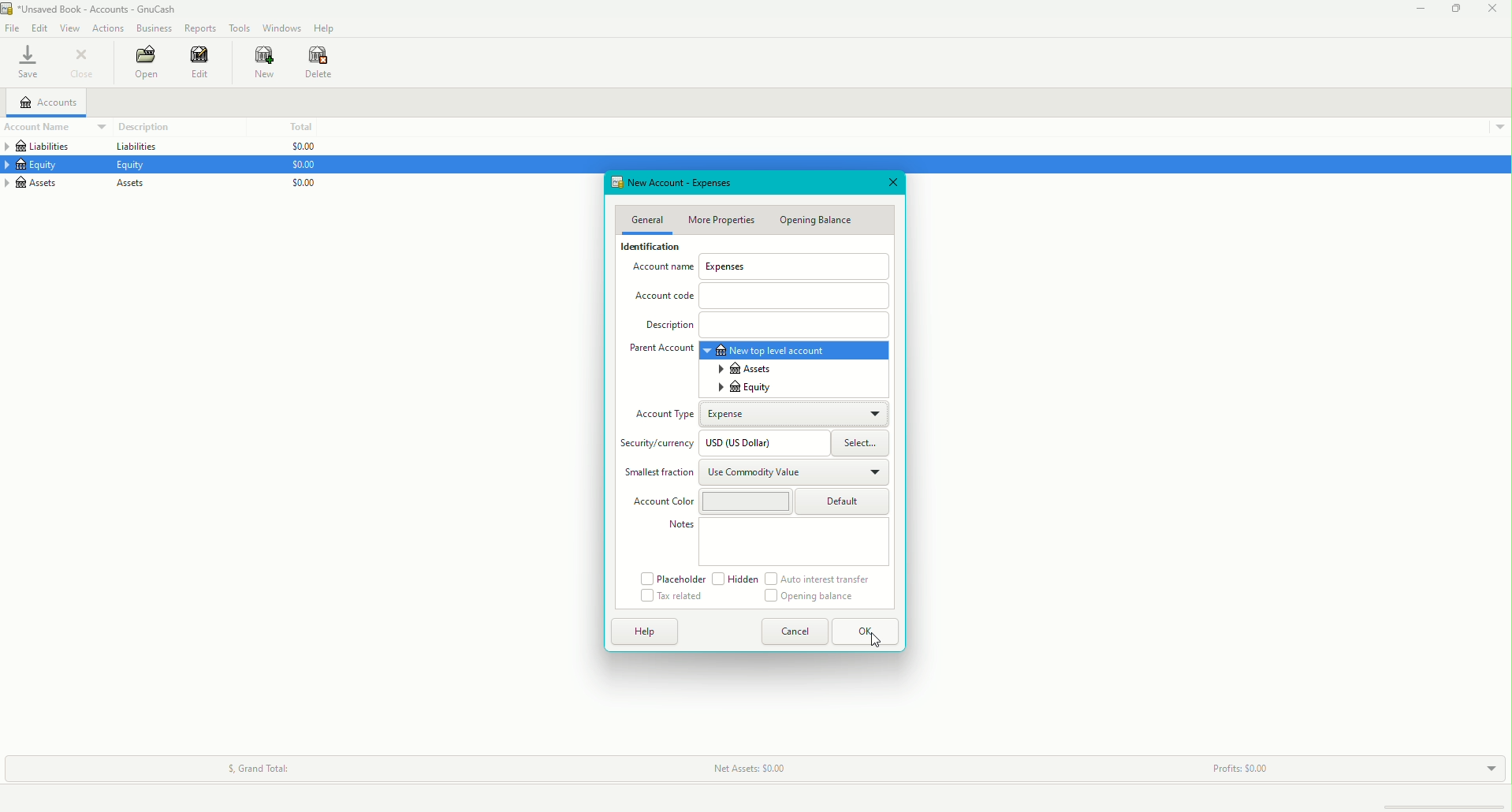 This screenshot has height=812, width=1512. Describe the element at coordinates (659, 445) in the screenshot. I see `Security/currency` at that location.